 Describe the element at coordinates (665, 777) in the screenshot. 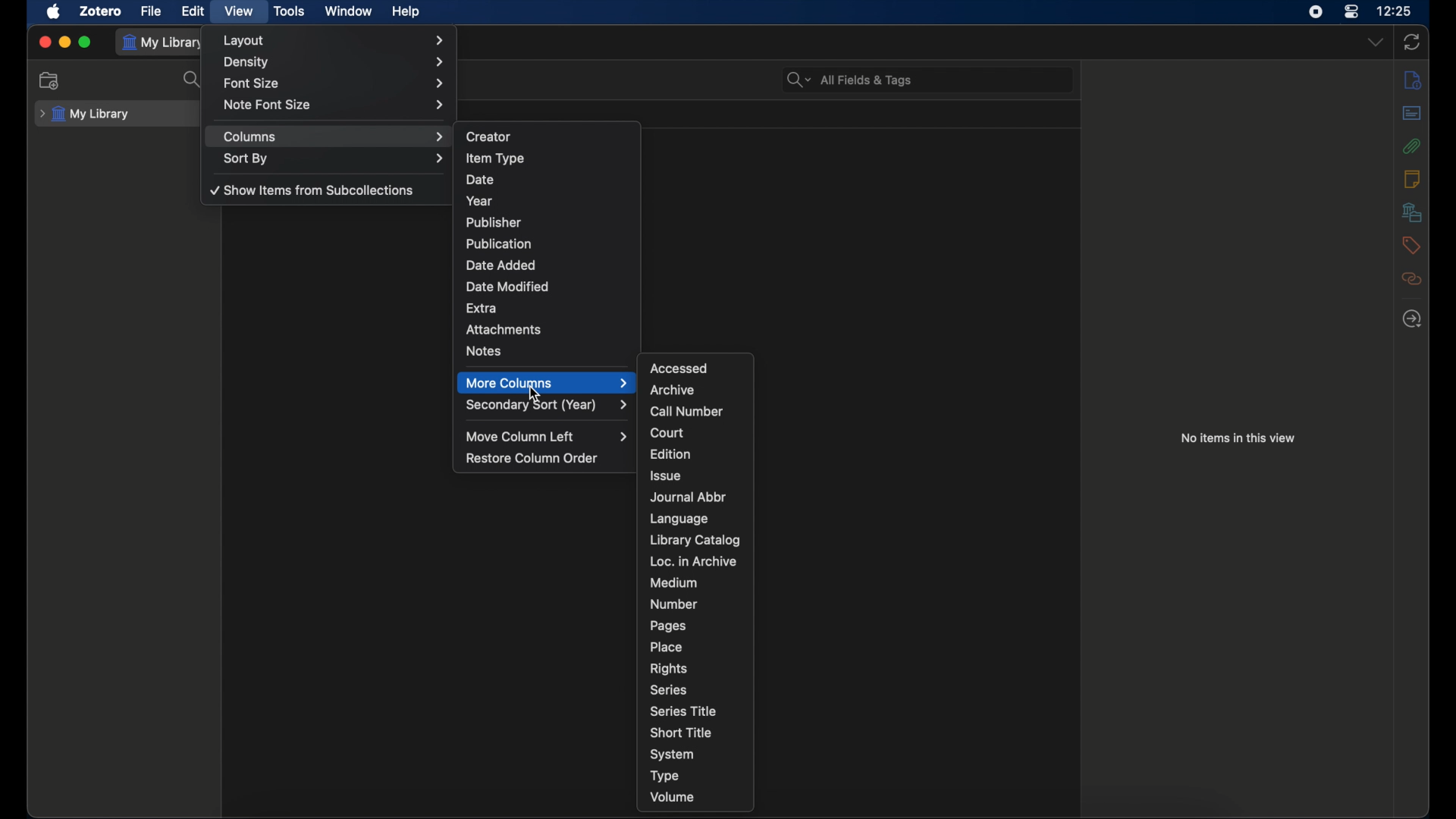

I see `type` at that location.